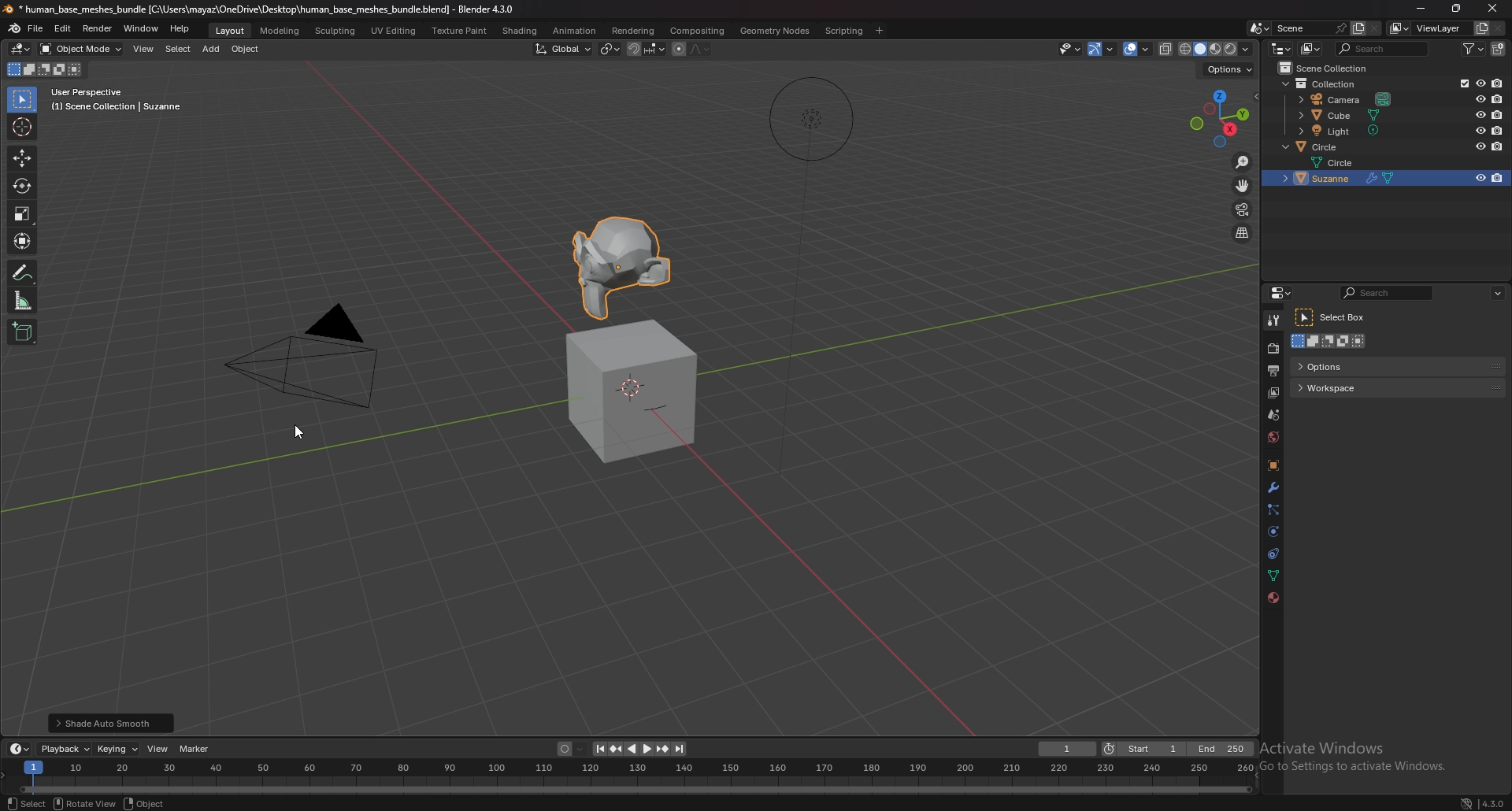 This screenshot has height=811, width=1512. I want to click on network, so click(1466, 802).